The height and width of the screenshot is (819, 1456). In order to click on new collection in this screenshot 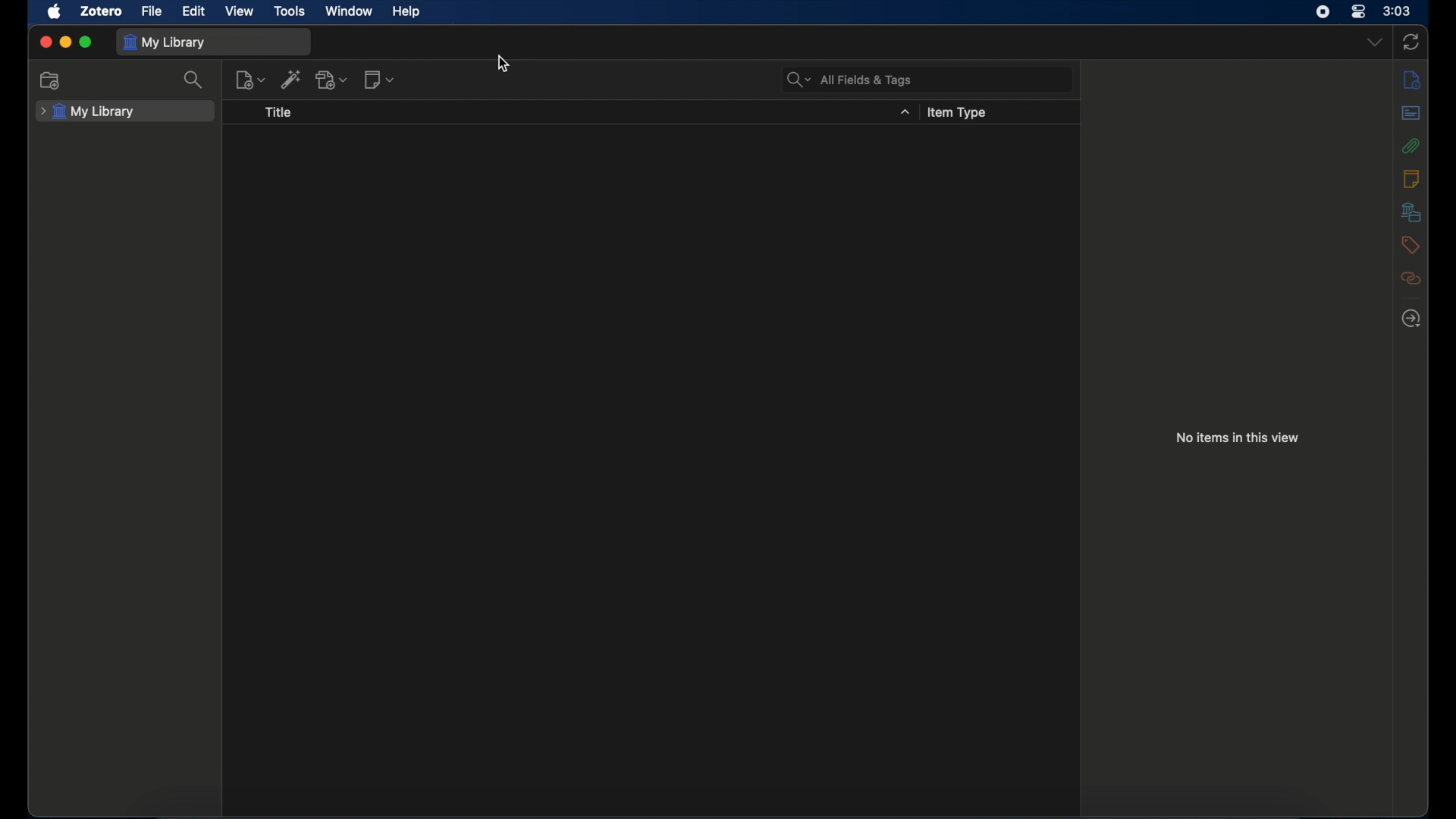, I will do `click(53, 81)`.